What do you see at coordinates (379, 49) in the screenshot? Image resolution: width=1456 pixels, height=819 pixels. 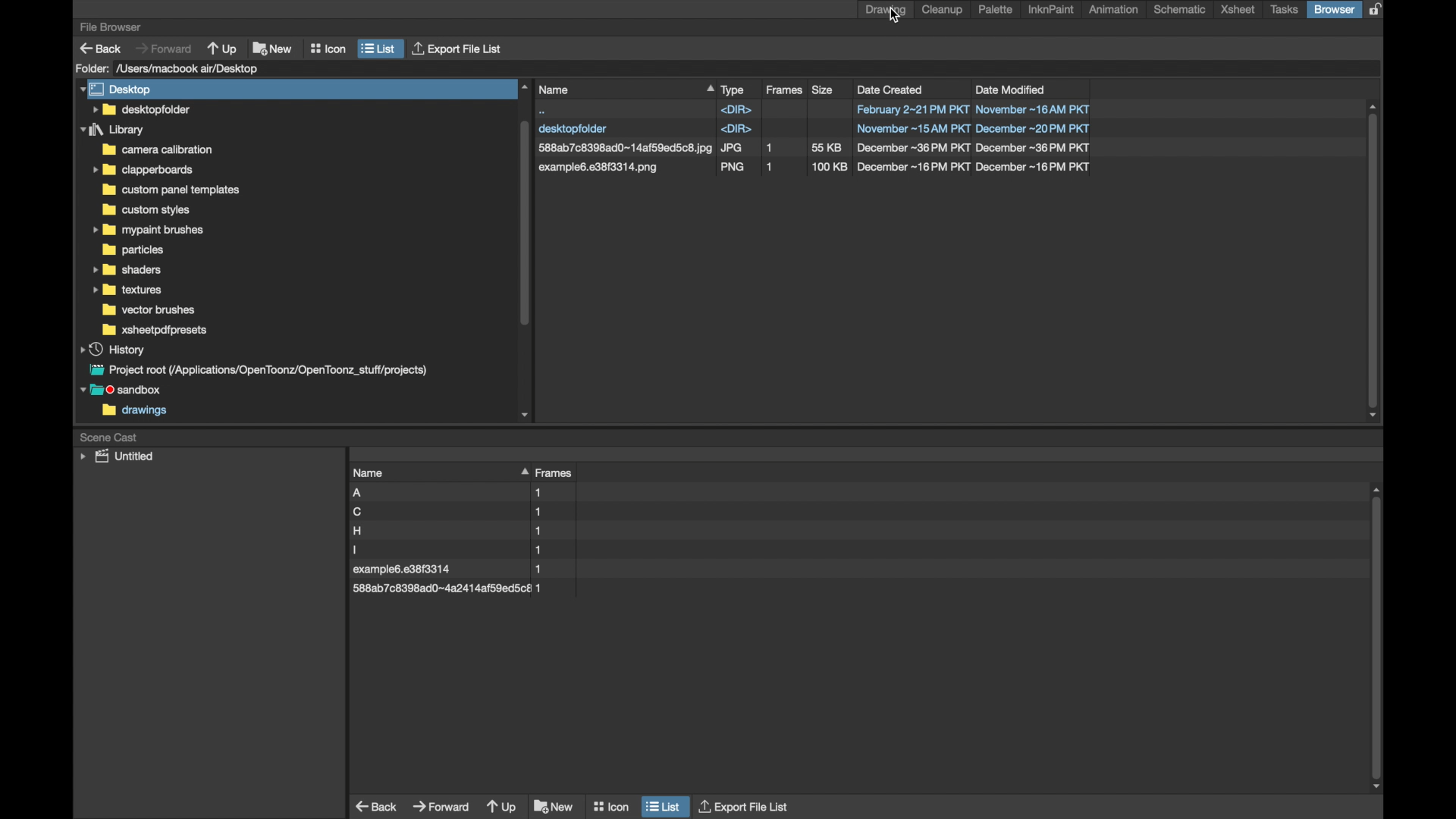 I see `list` at bounding box center [379, 49].